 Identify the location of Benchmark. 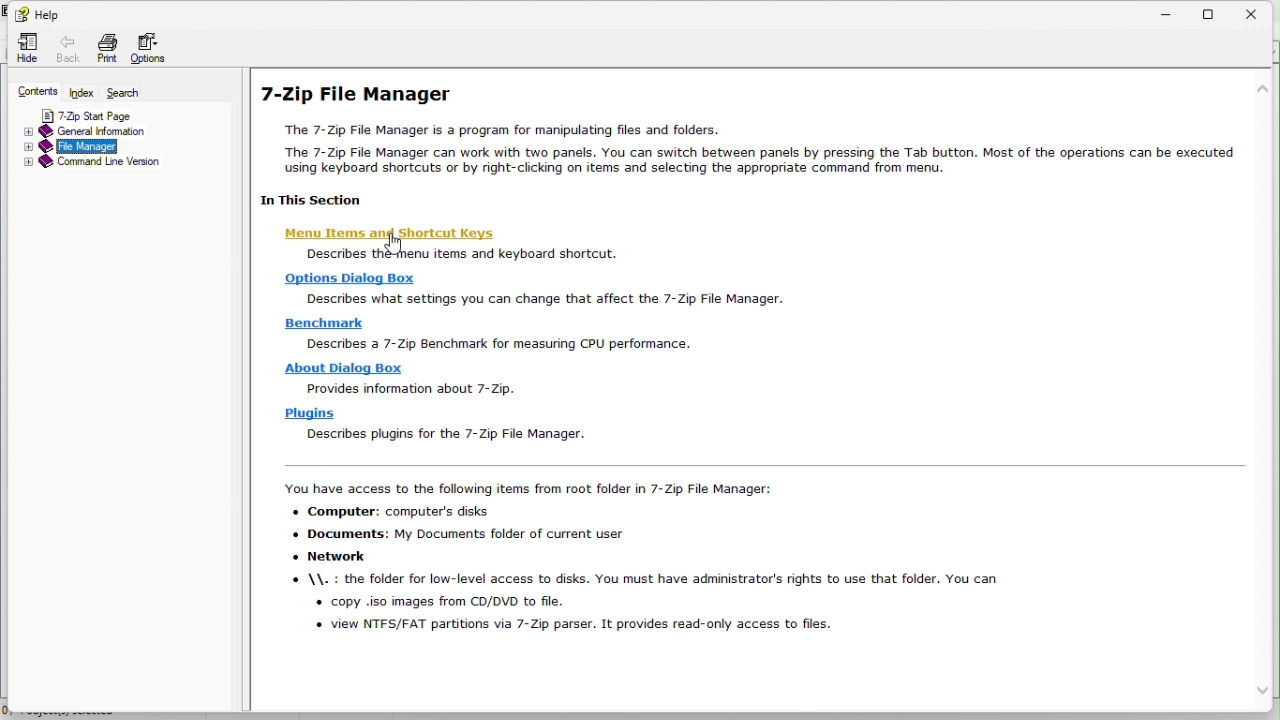
(328, 324).